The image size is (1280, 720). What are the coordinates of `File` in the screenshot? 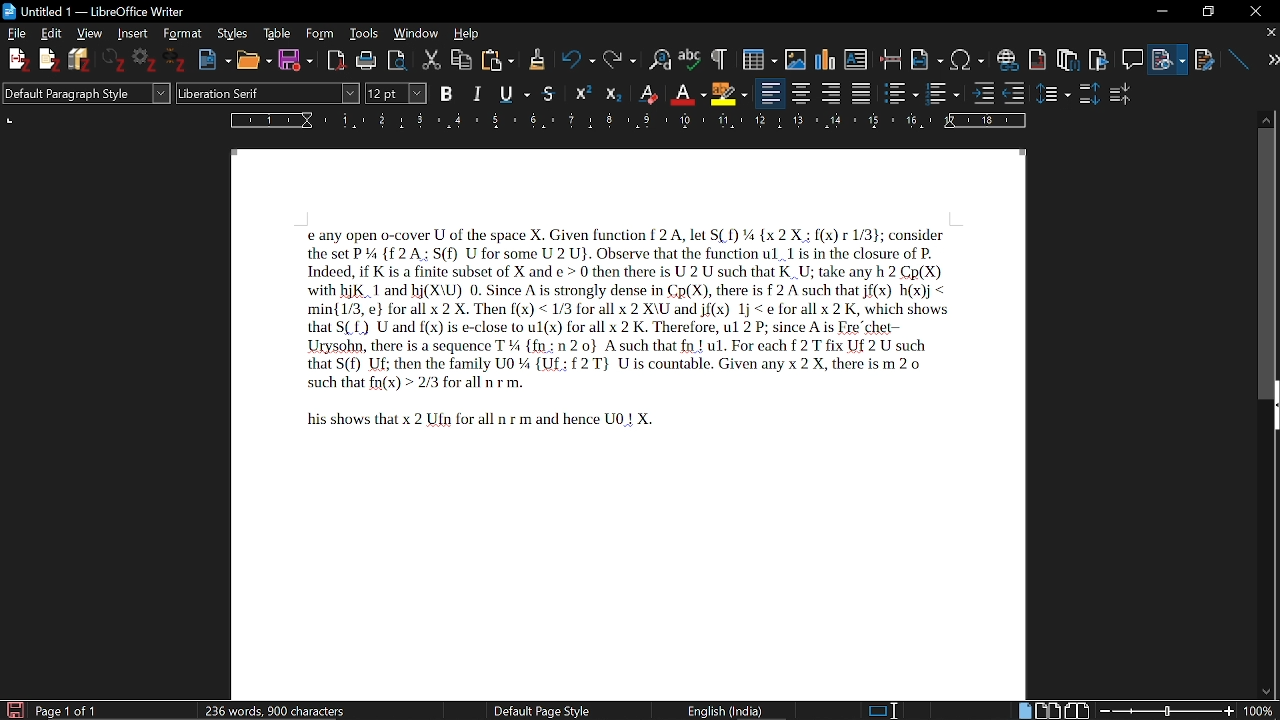 It's located at (1171, 56).